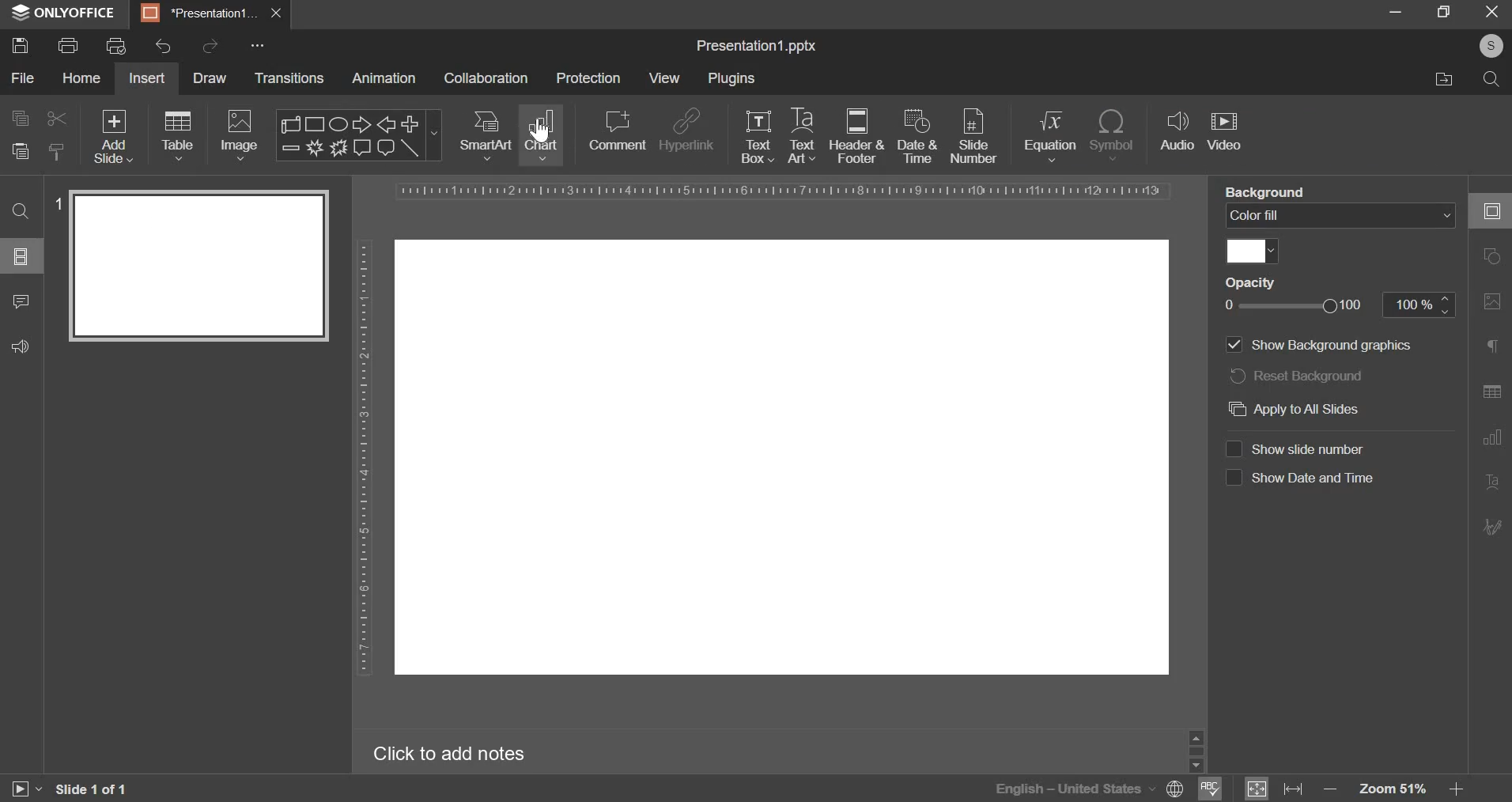  Describe the element at coordinates (20, 301) in the screenshot. I see `comments` at that location.